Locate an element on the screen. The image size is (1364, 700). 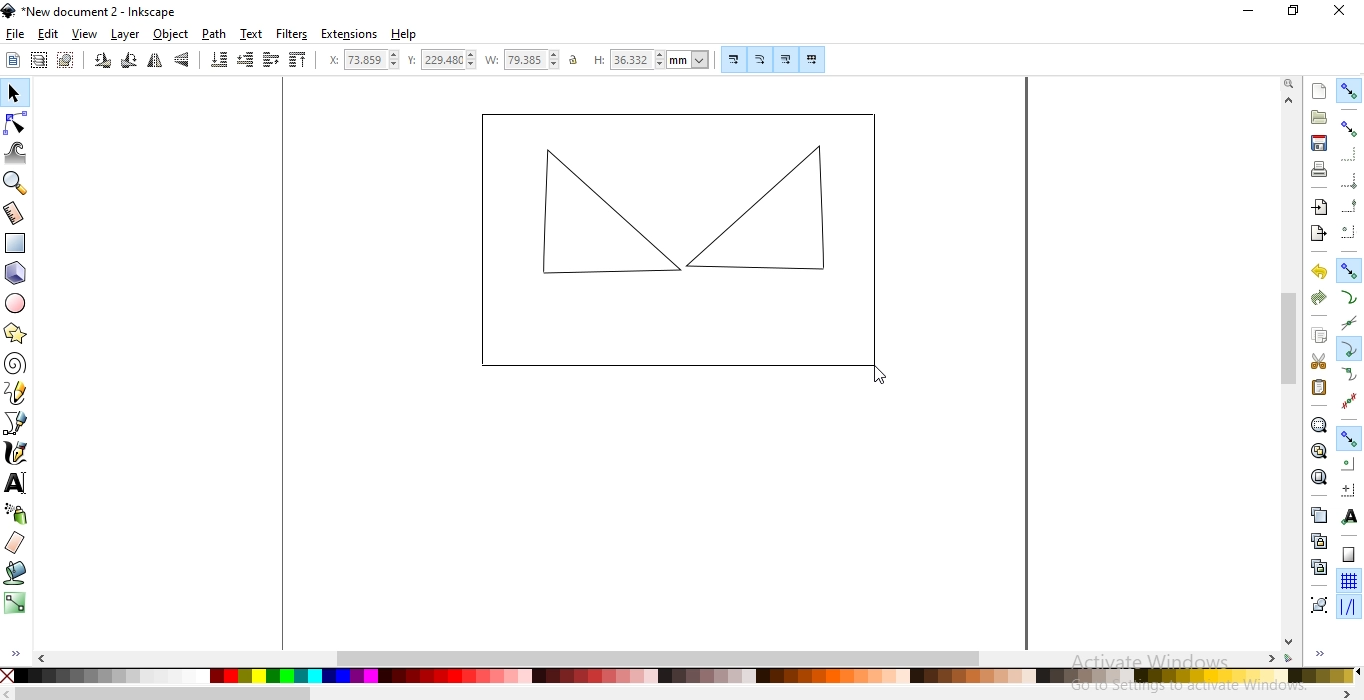
snap to page border is located at coordinates (1349, 555).